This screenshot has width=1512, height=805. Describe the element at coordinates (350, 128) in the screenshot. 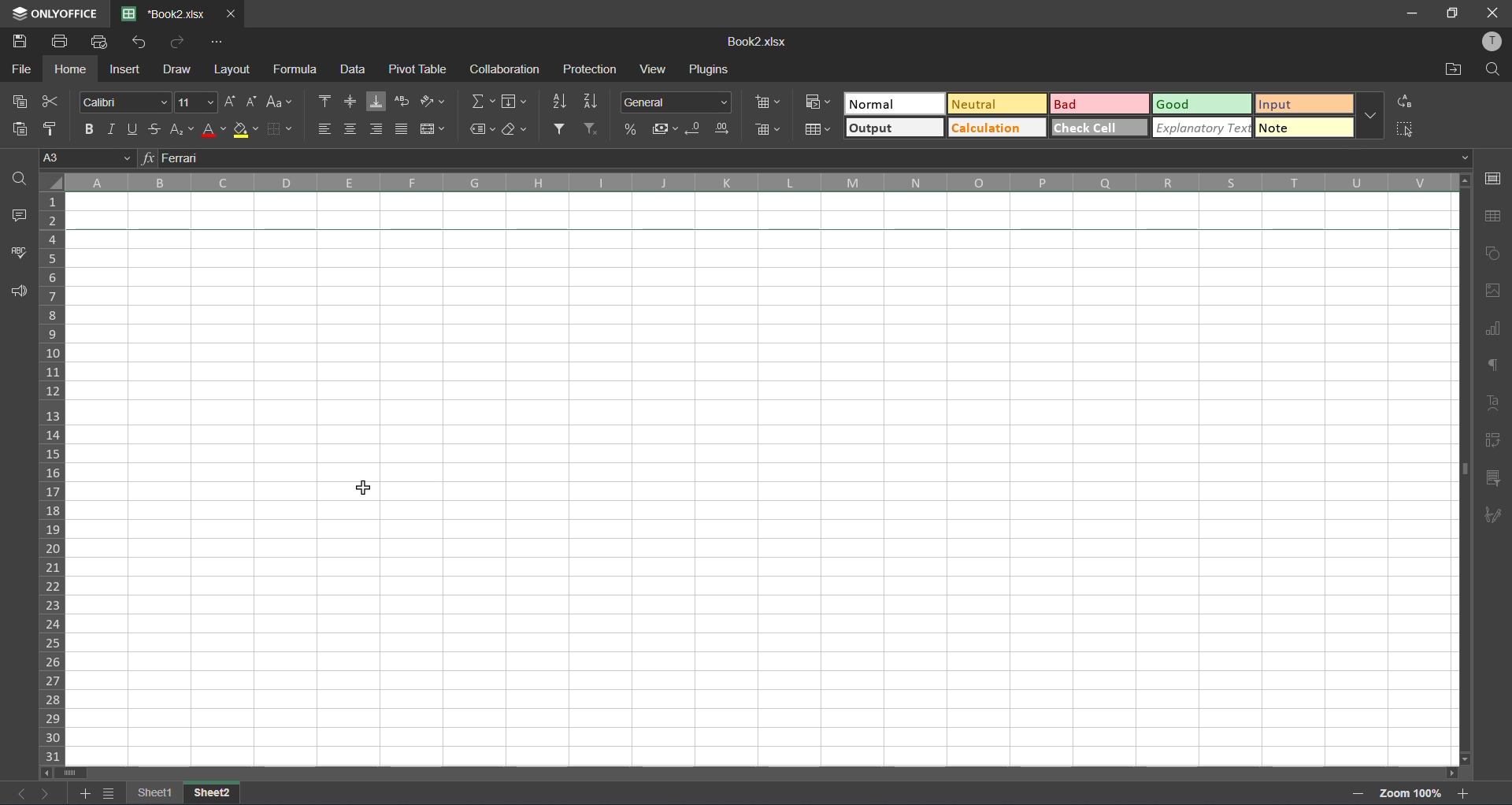

I see `align center` at that location.